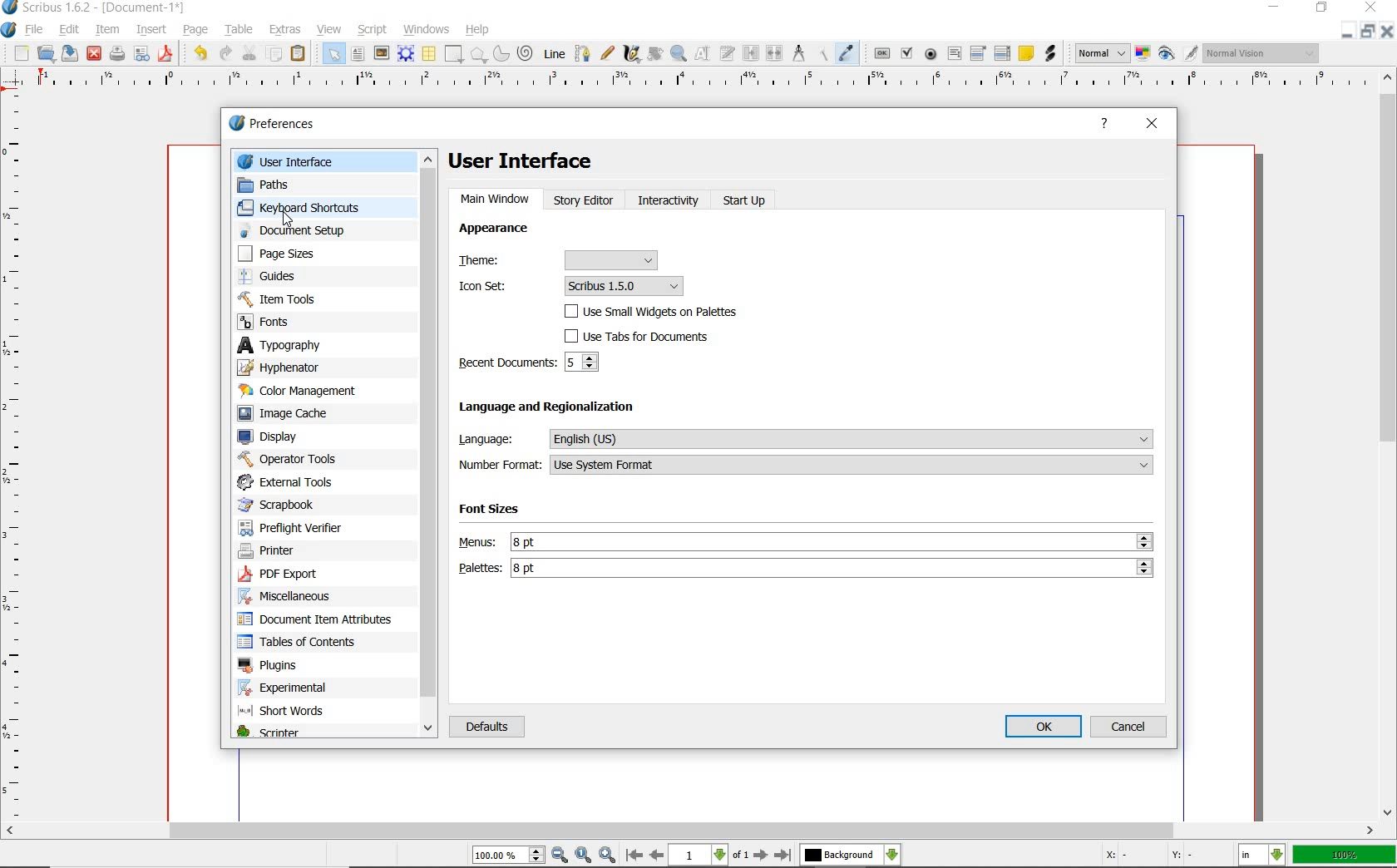 The image size is (1397, 868). Describe the element at coordinates (1050, 52) in the screenshot. I see `link annotation` at that location.